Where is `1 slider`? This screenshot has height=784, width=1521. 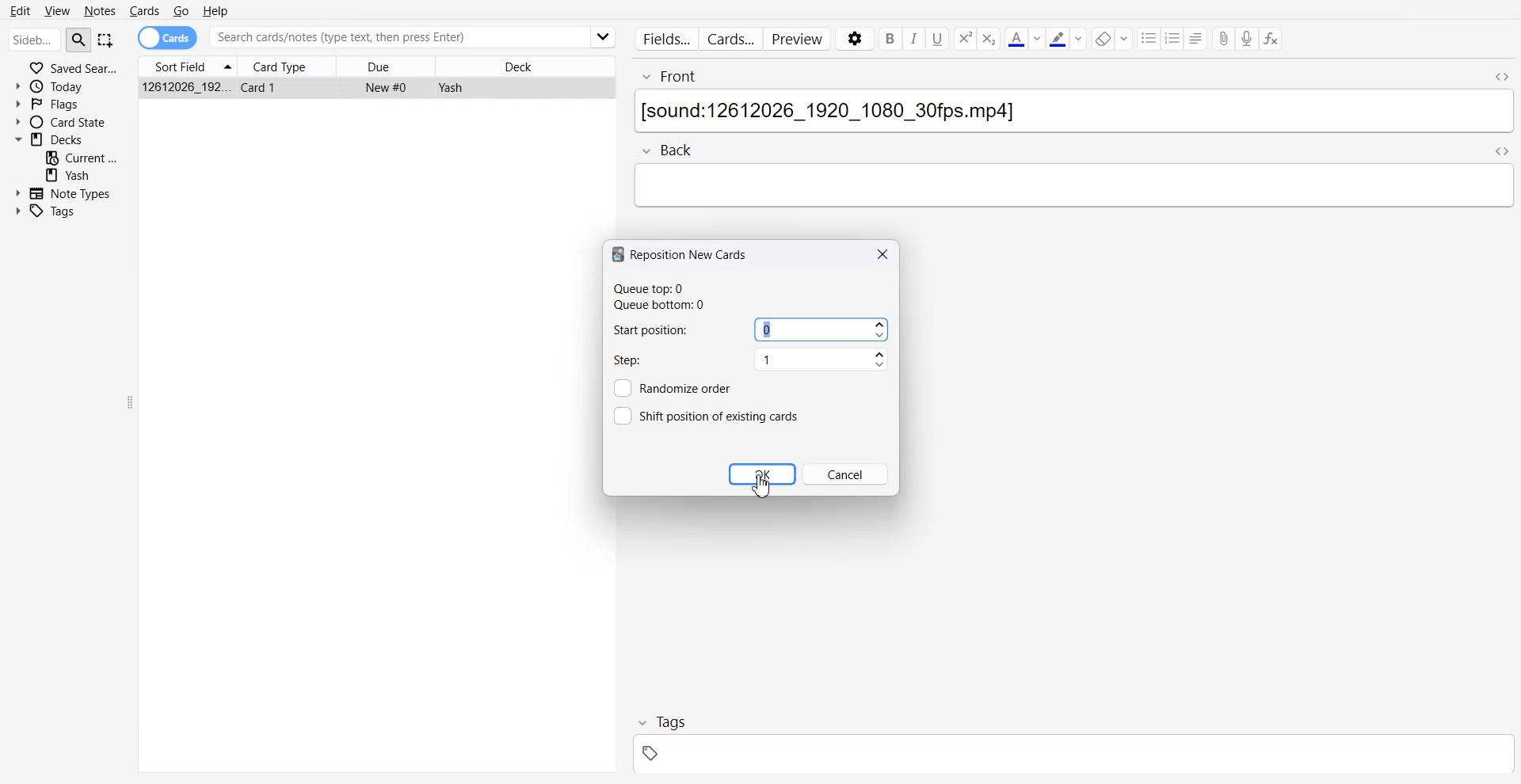 1 slider is located at coordinates (822, 363).